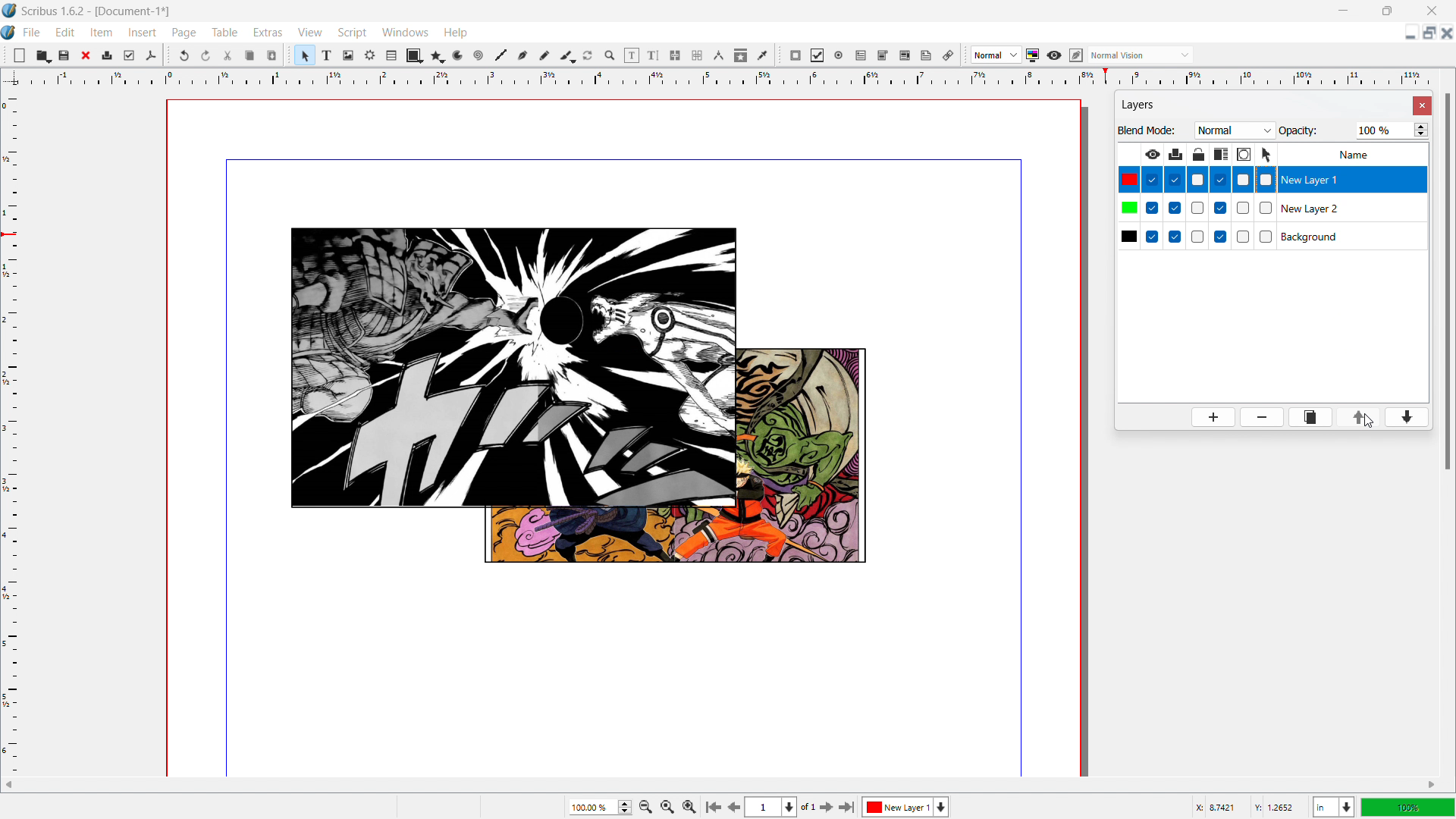 The width and height of the screenshot is (1456, 819). I want to click on maximize window, so click(1385, 10).